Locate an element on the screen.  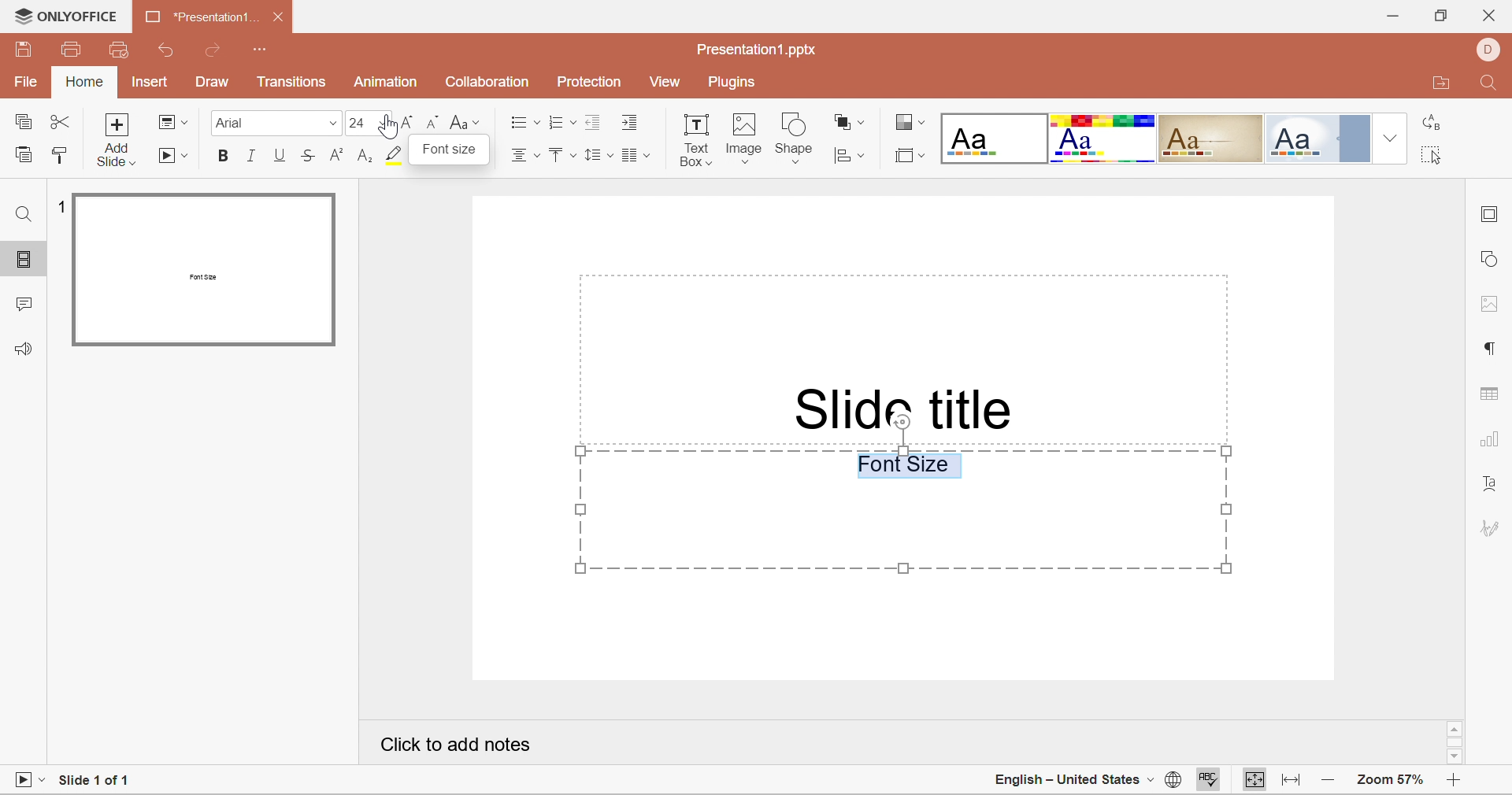
Decrease indent is located at coordinates (593, 124).